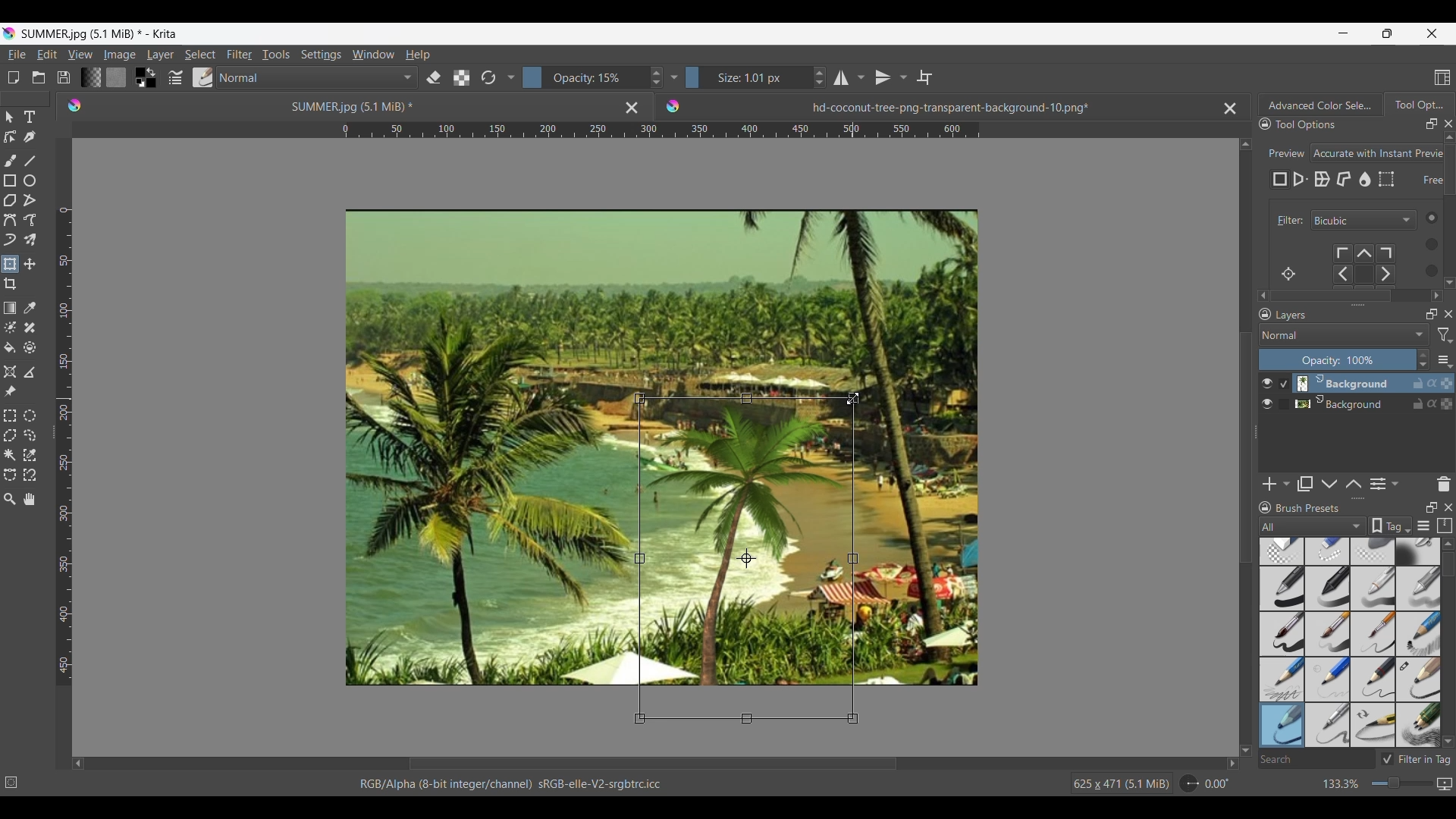 The image size is (1456, 819). Describe the element at coordinates (1434, 383) in the screenshot. I see `Sync` at that location.